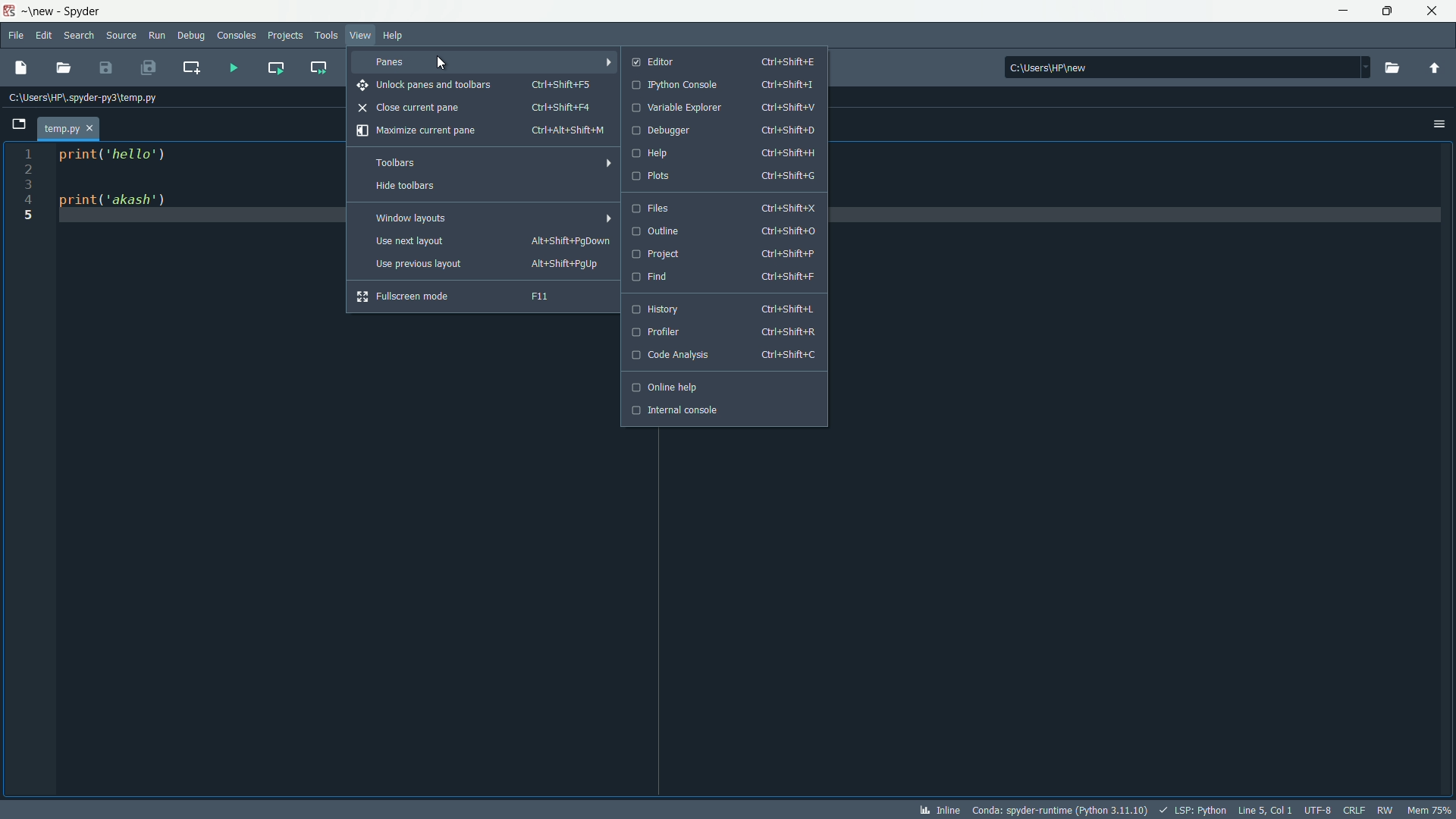 This screenshot has width=1456, height=819. What do you see at coordinates (724, 277) in the screenshot?
I see `find` at bounding box center [724, 277].